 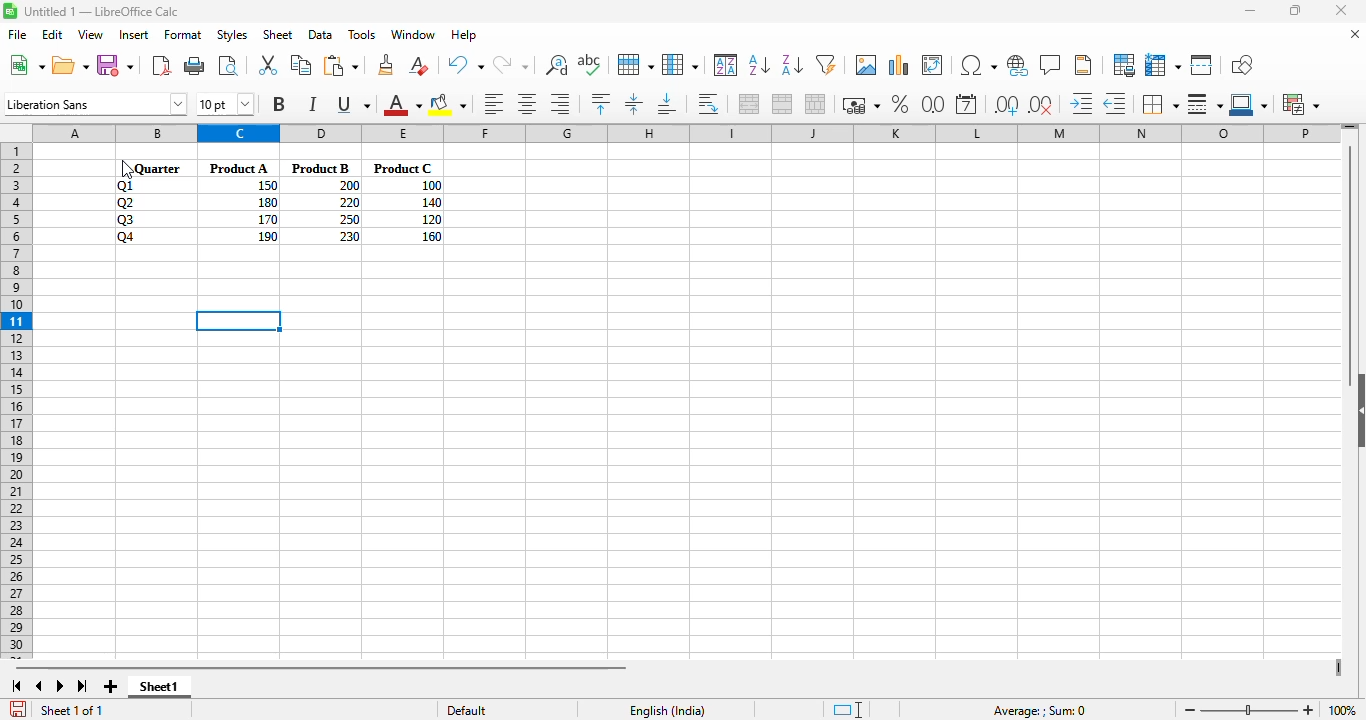 What do you see at coordinates (266, 186) in the screenshot?
I see `150` at bounding box center [266, 186].